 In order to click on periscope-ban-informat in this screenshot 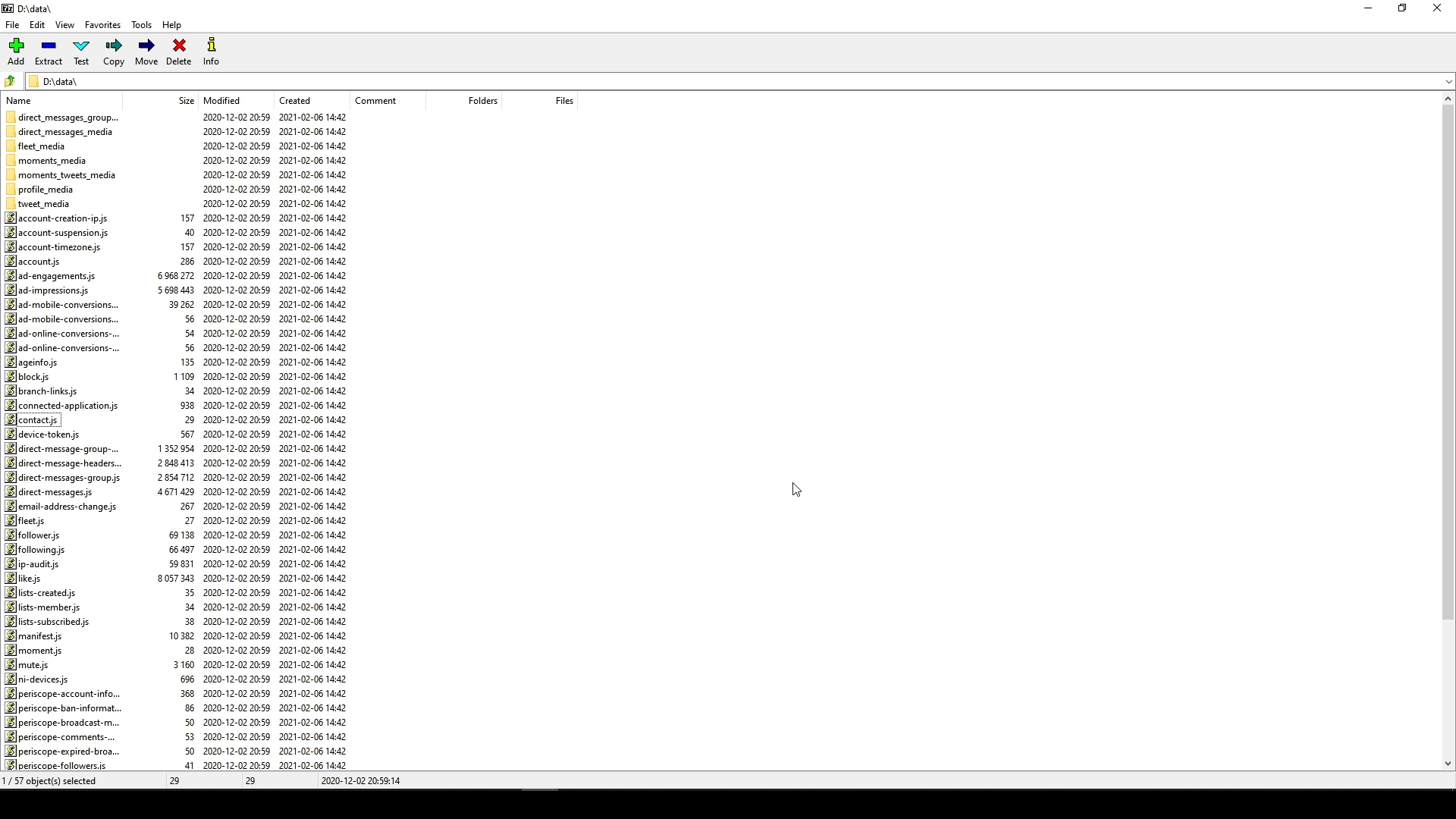, I will do `click(69, 707)`.